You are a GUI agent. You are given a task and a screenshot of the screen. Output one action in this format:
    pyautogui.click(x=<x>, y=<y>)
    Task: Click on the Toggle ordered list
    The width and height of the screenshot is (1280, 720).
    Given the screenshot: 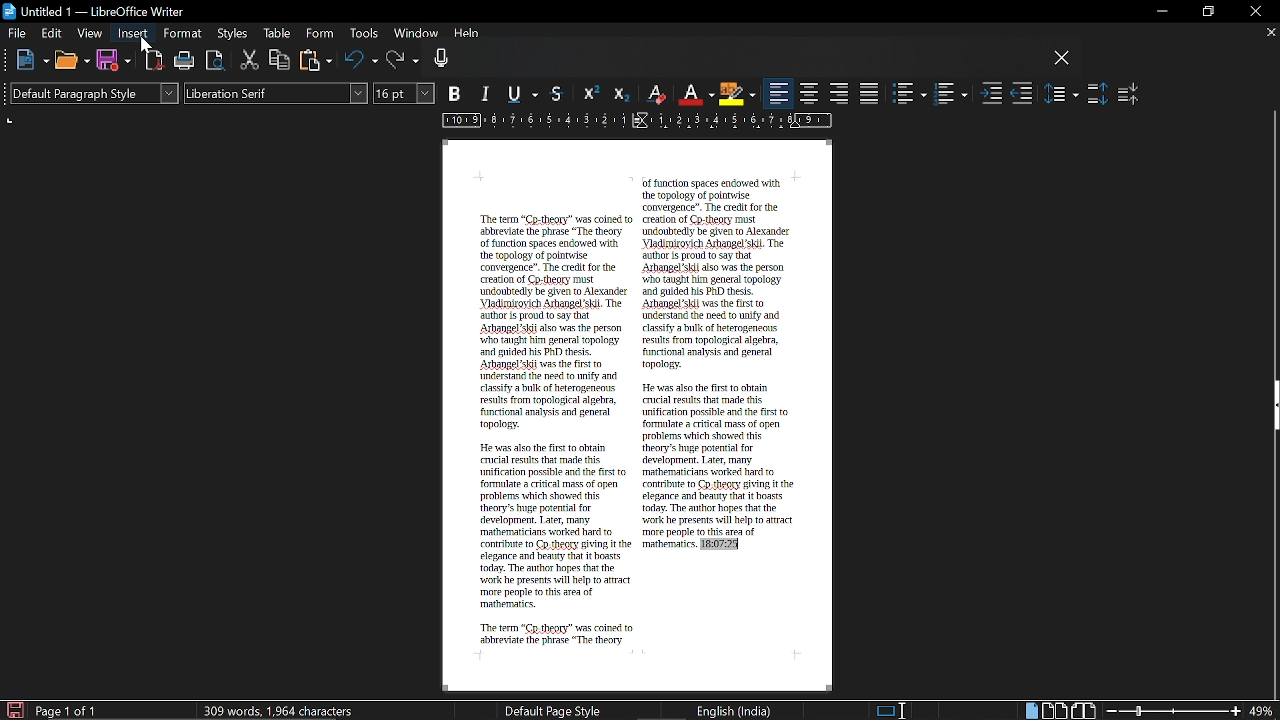 What is the action you would take?
    pyautogui.click(x=950, y=94)
    